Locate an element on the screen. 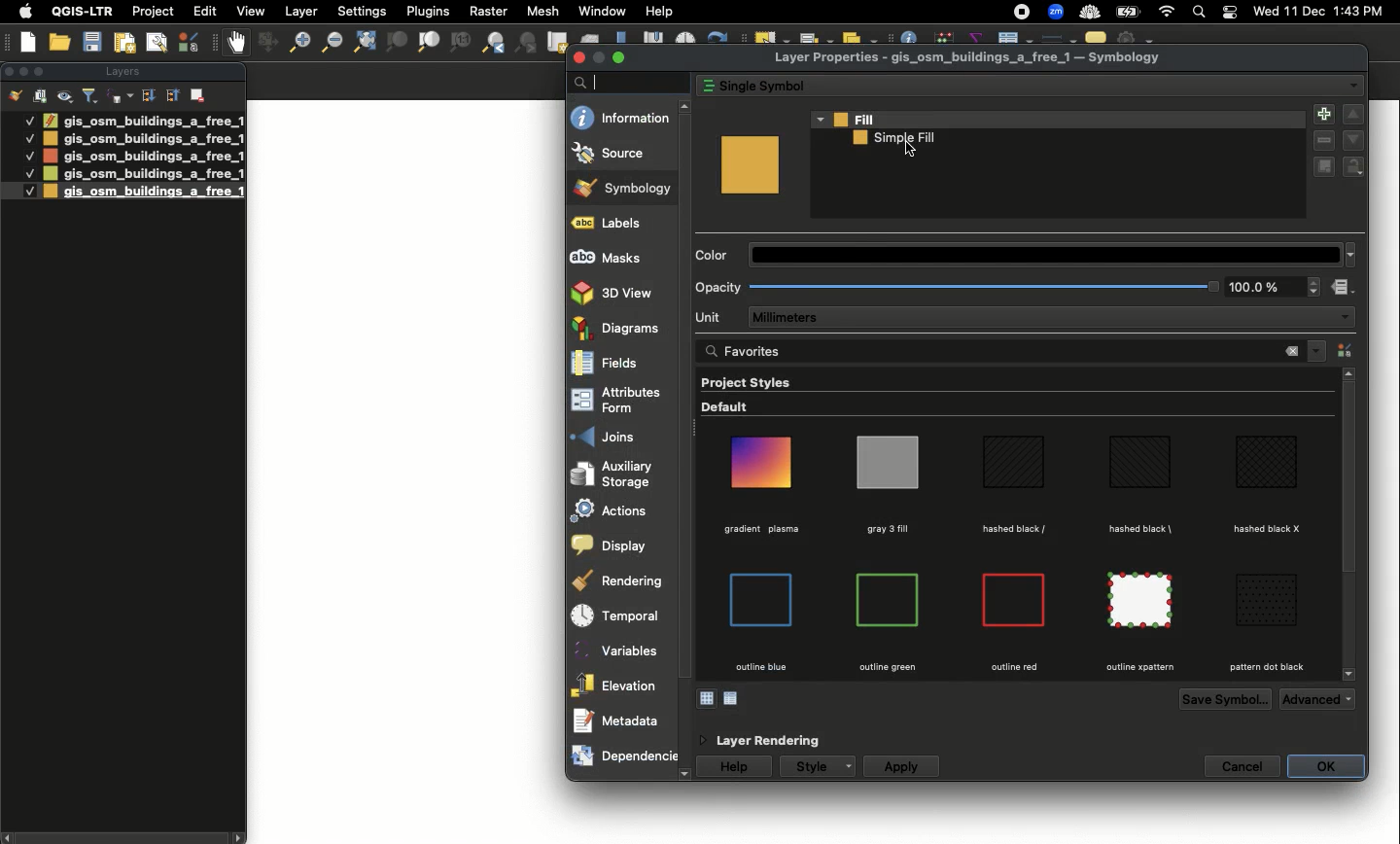  Notification is located at coordinates (1227, 13).